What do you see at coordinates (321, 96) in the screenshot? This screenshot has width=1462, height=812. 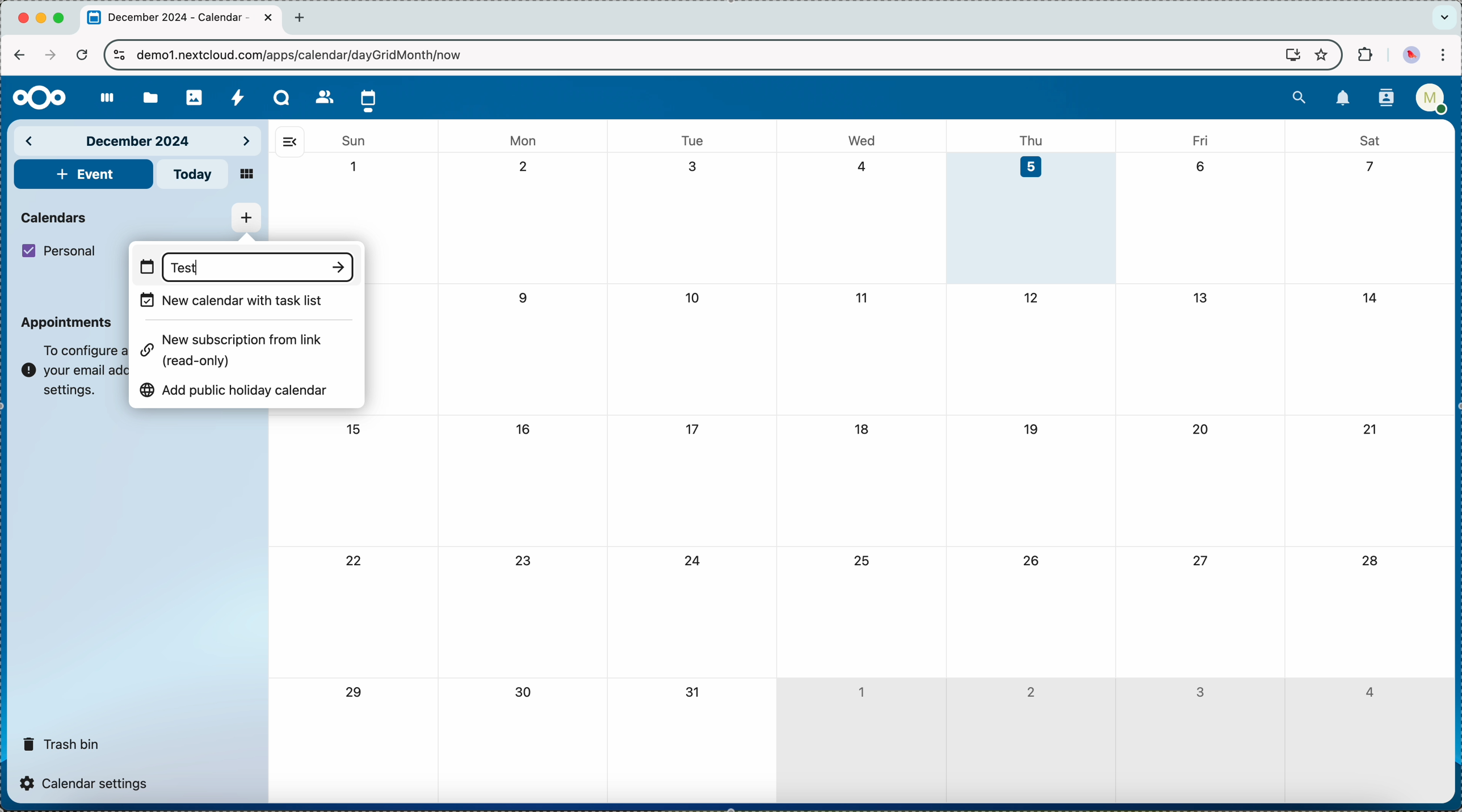 I see `contacts` at bounding box center [321, 96].